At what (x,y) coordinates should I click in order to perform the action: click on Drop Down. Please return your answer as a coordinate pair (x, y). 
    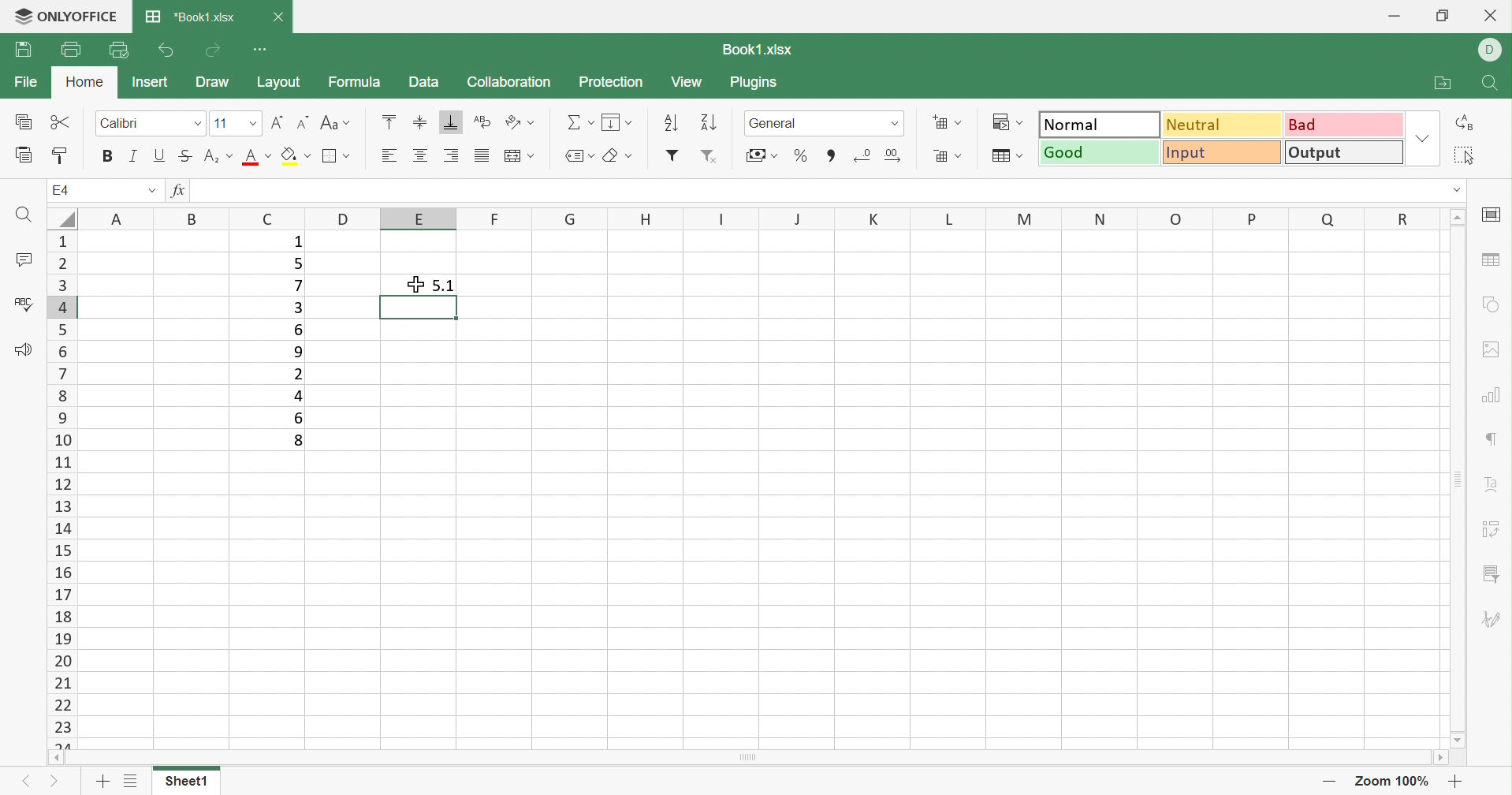
    Looking at the image, I should click on (151, 192).